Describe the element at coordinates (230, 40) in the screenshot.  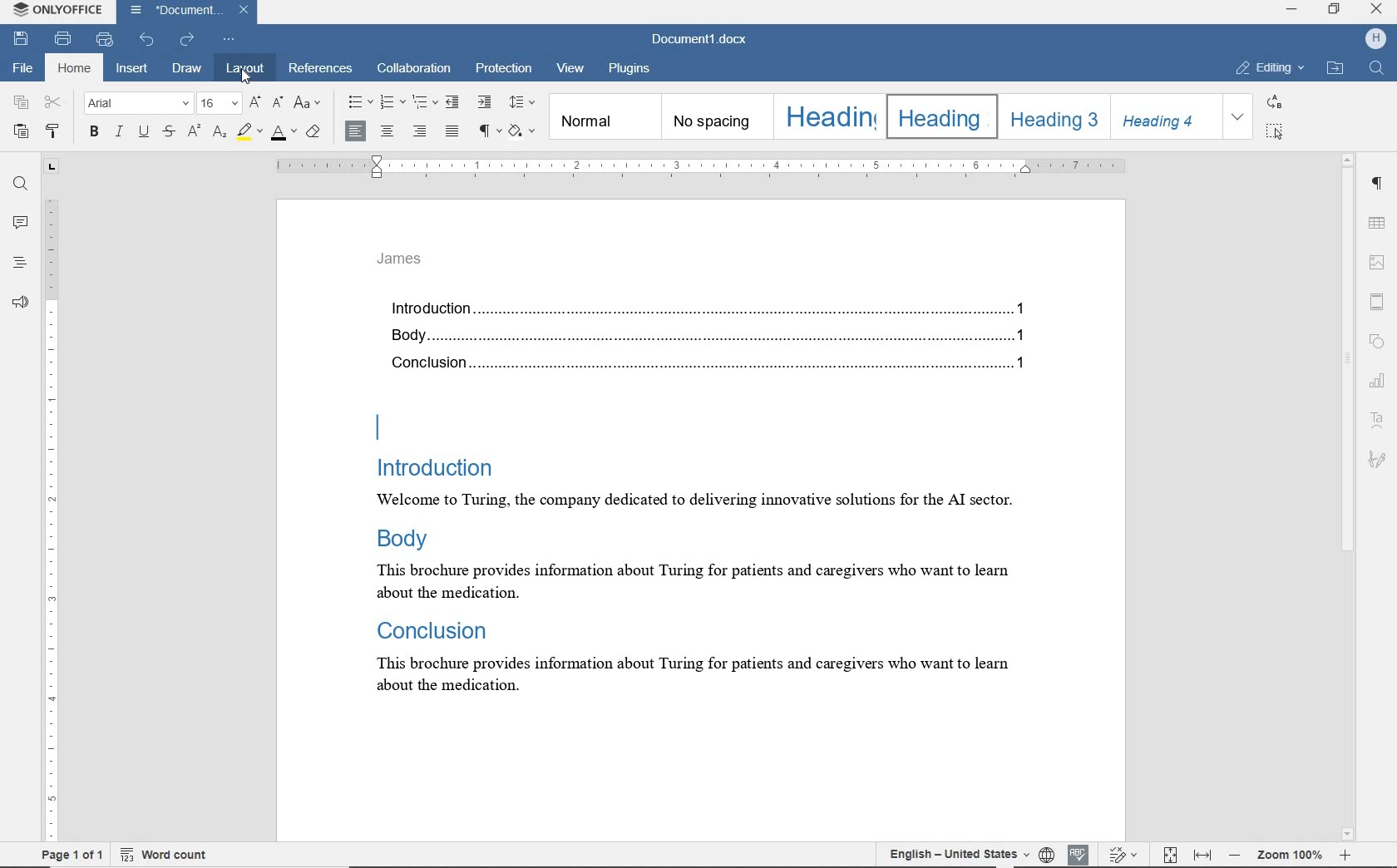
I see `customize quick access ` at that location.